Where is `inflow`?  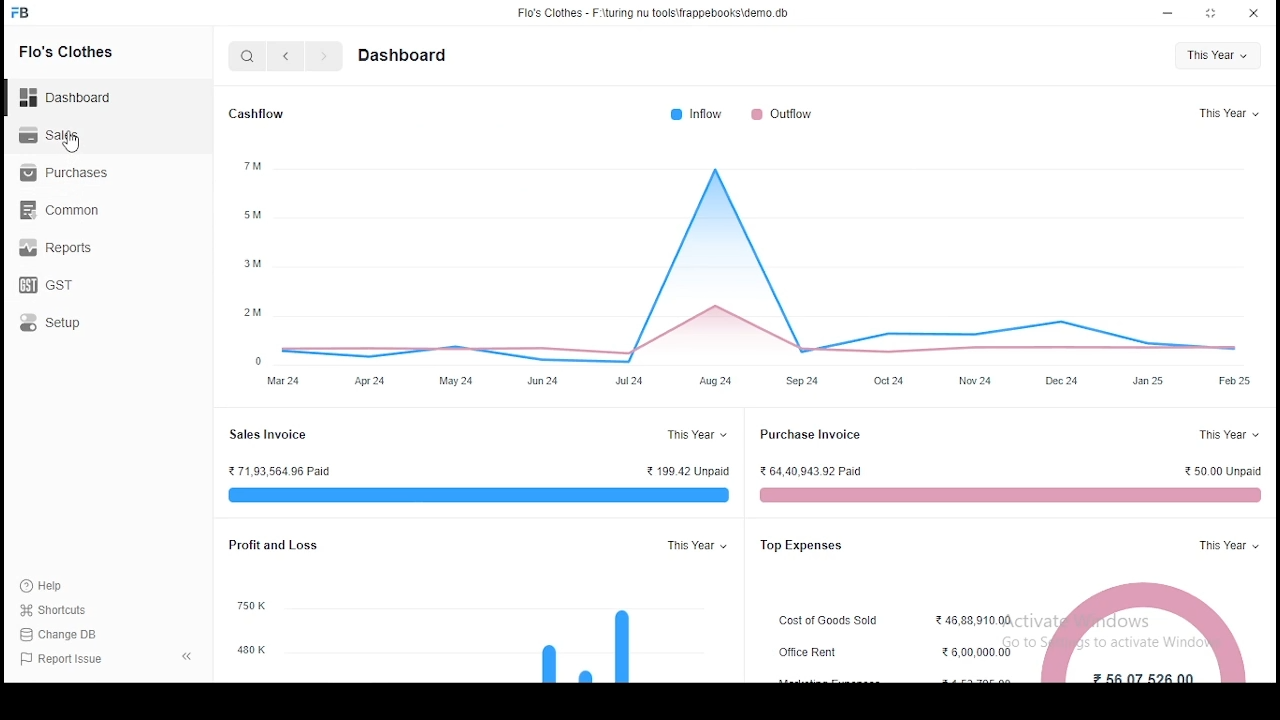
inflow is located at coordinates (698, 114).